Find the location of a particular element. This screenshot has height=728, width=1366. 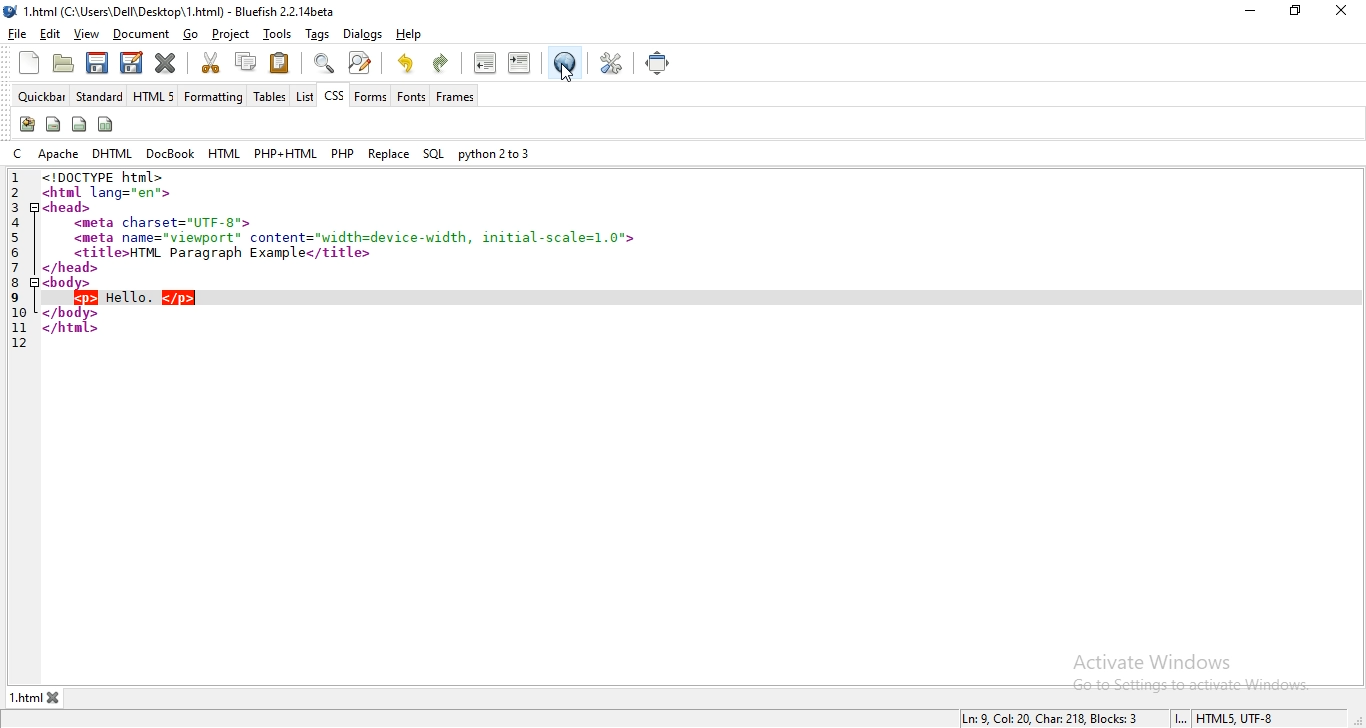

formatting is located at coordinates (215, 96).